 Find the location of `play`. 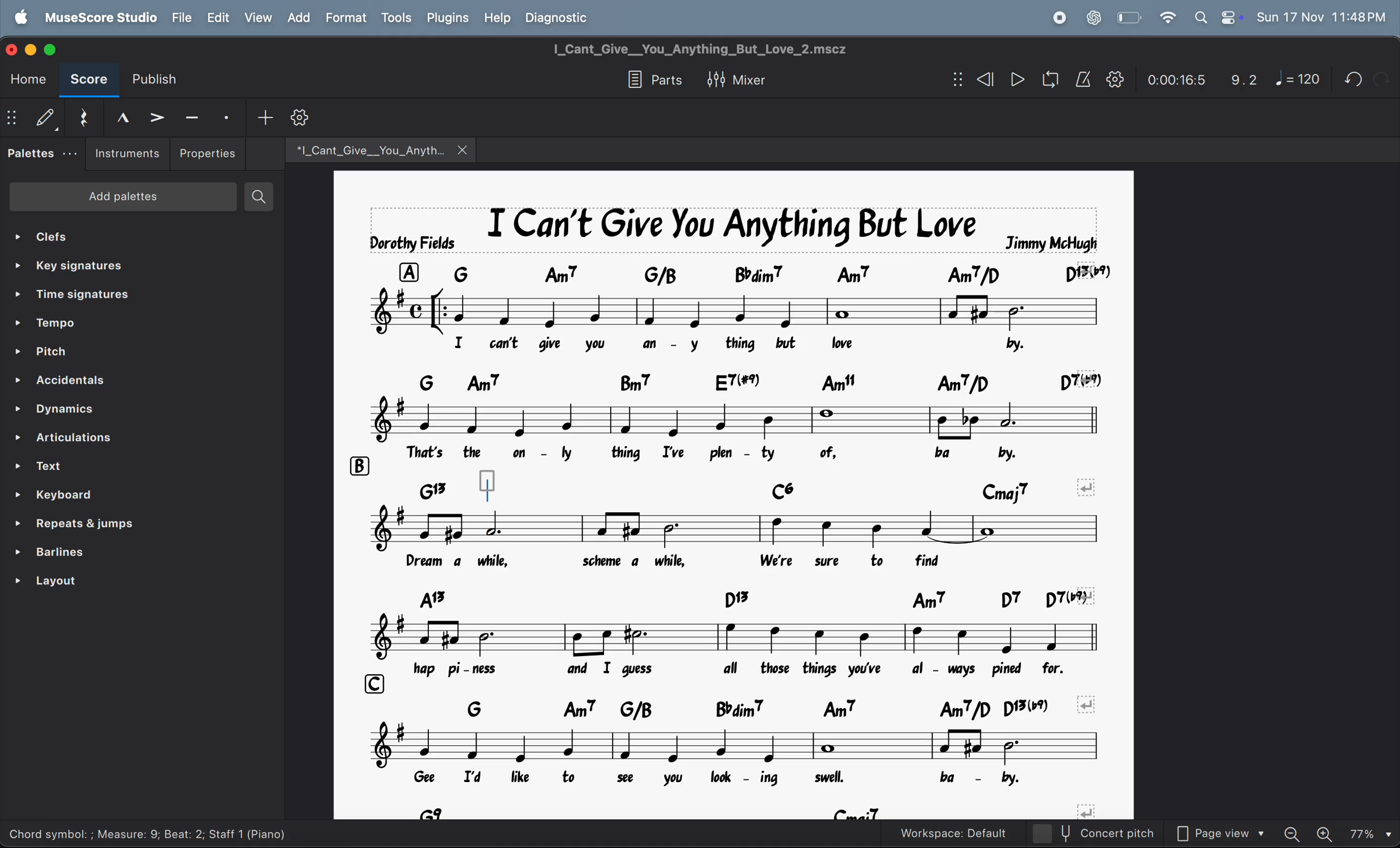

play is located at coordinates (1013, 79).